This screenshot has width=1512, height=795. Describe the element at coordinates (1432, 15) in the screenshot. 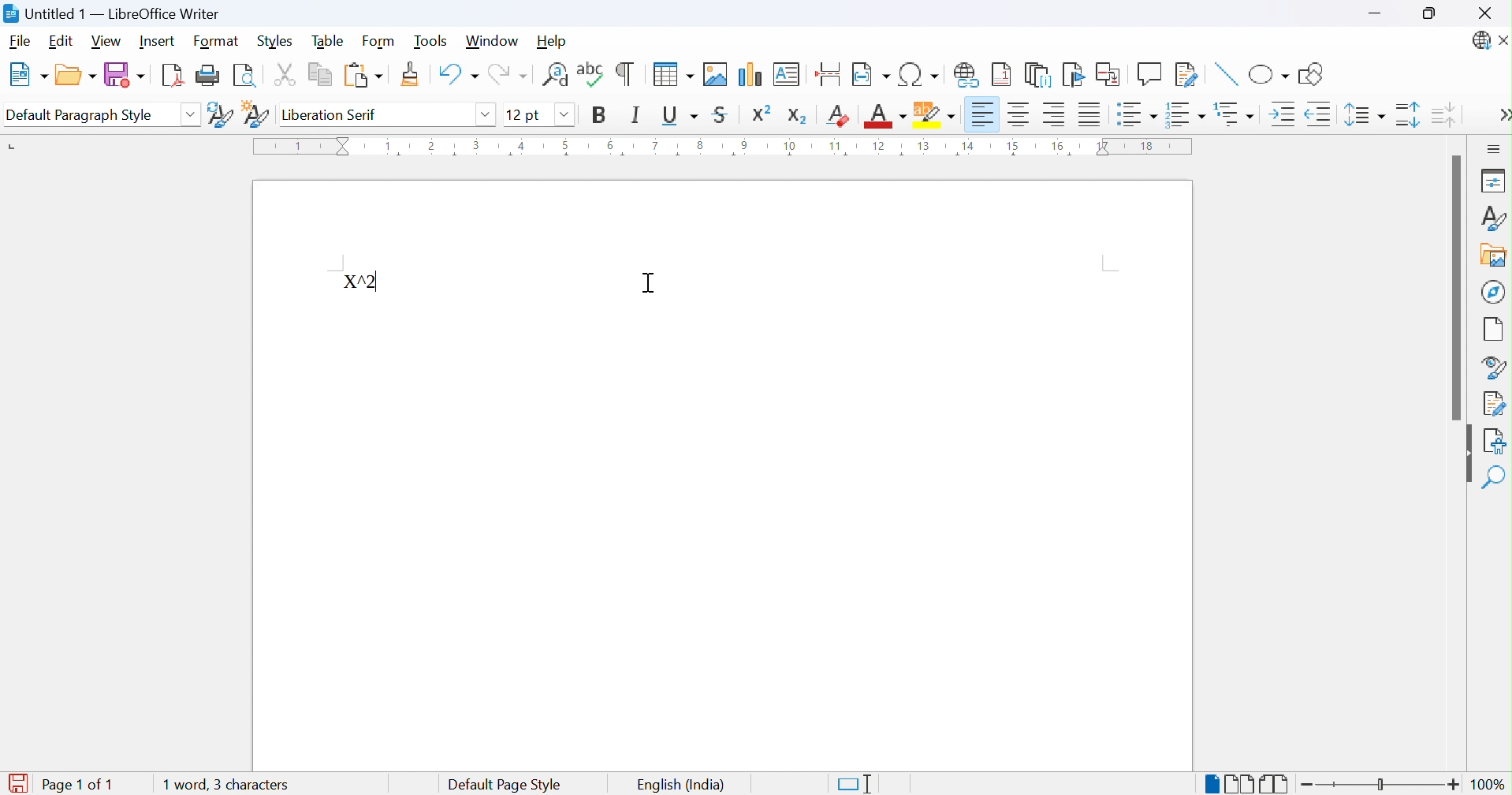

I see `Restore down` at that location.